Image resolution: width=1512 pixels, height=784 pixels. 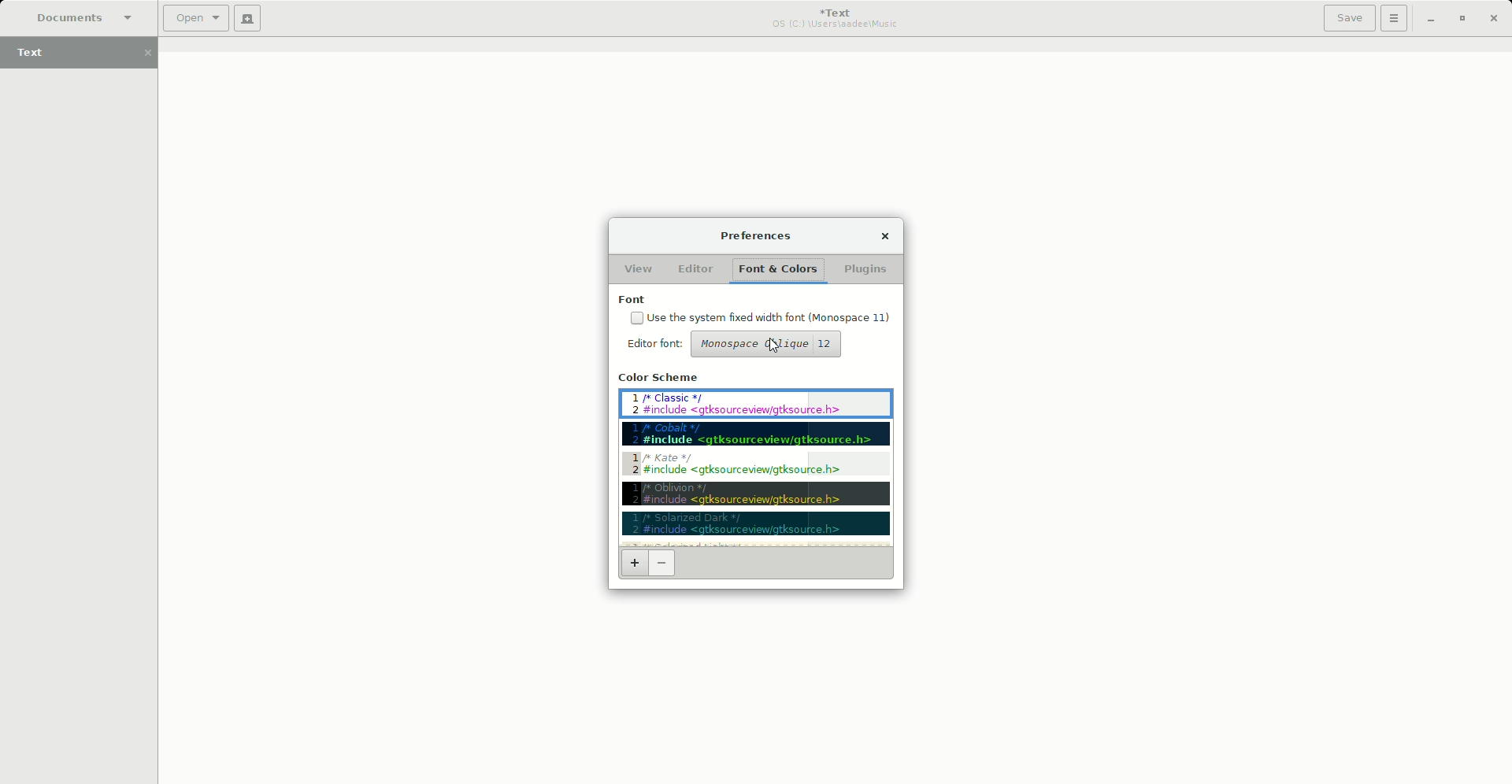 I want to click on Text, so click(x=85, y=54).